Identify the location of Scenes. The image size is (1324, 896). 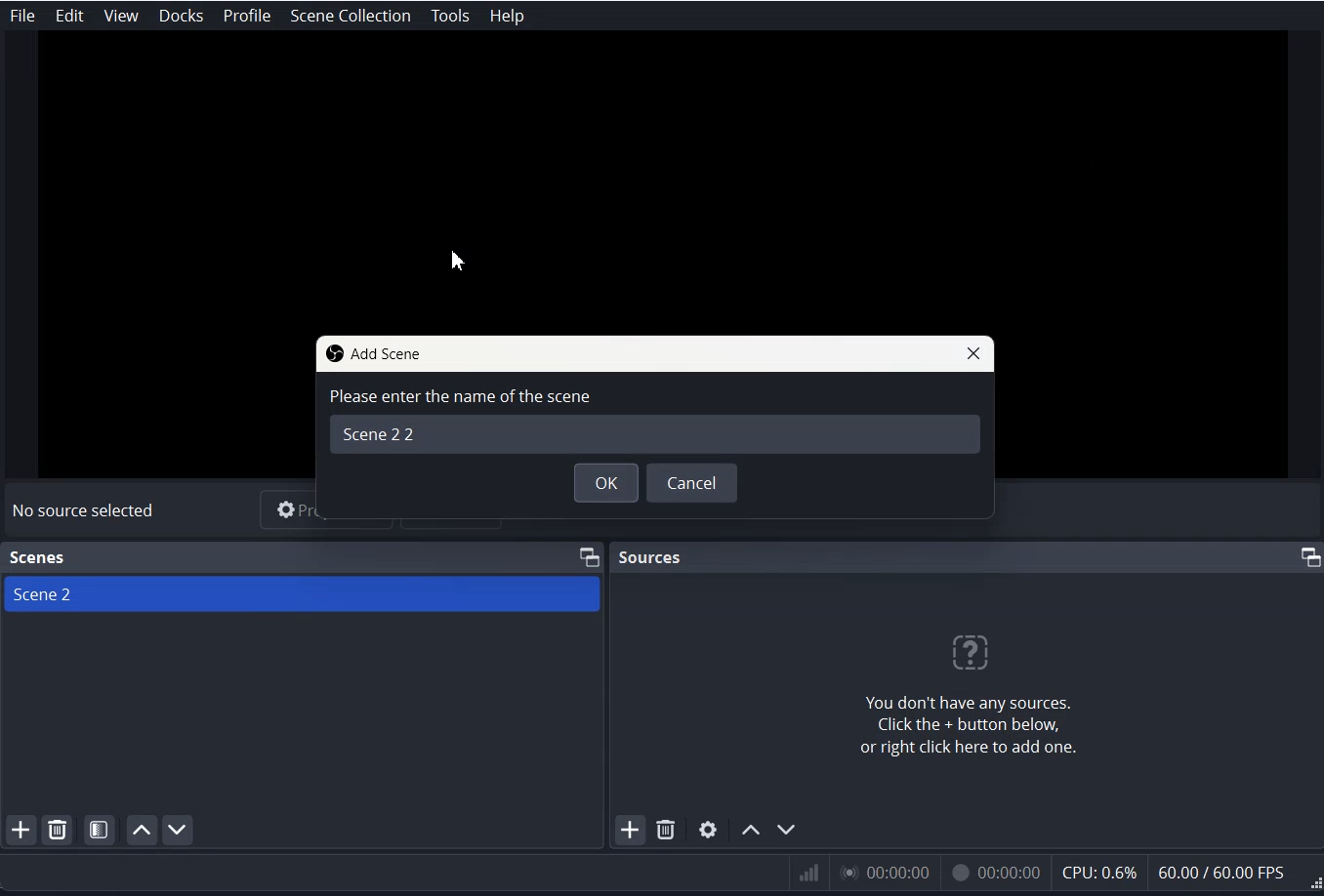
(38, 557).